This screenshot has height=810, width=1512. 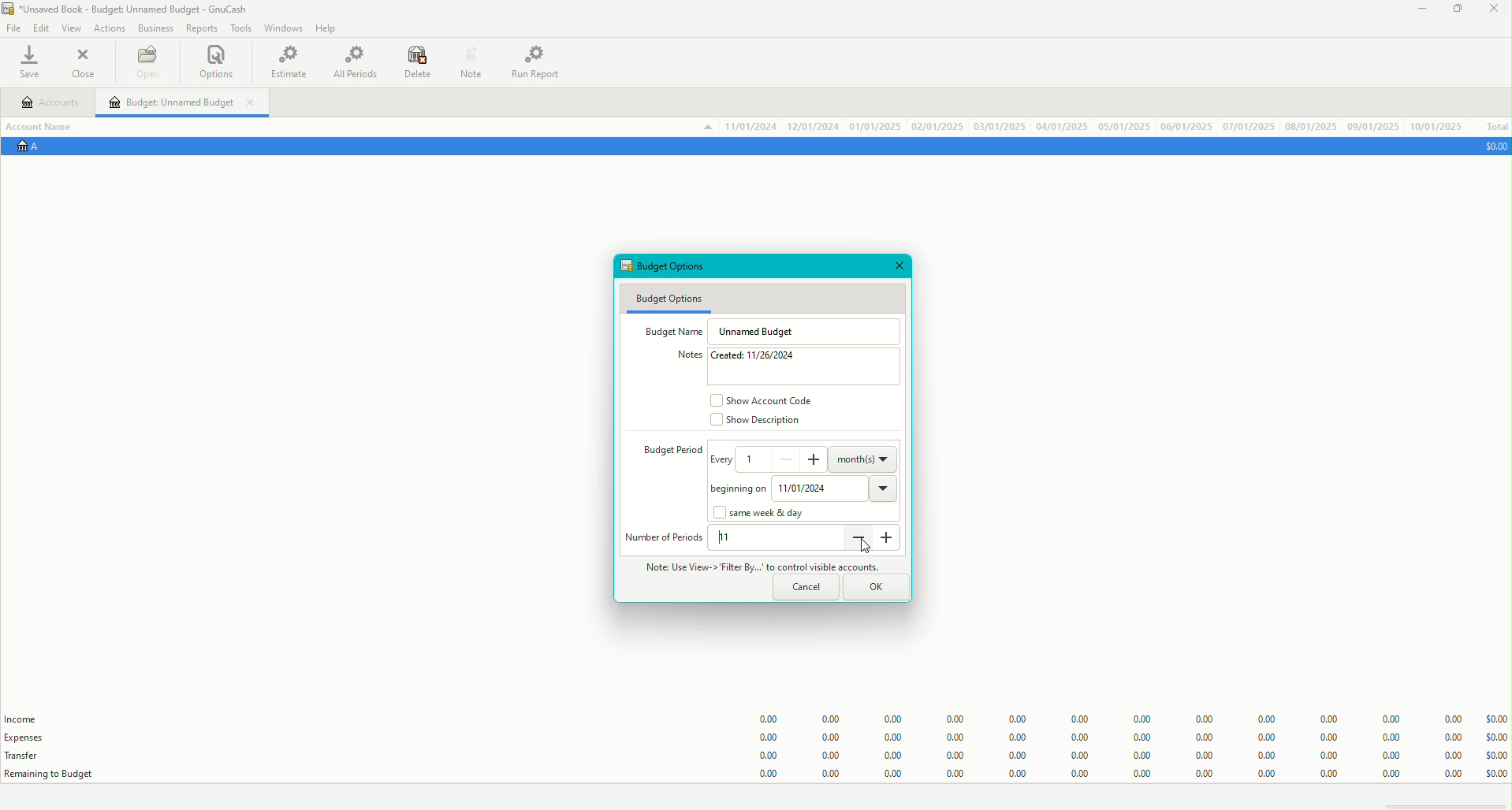 I want to click on increase, so click(x=890, y=544).